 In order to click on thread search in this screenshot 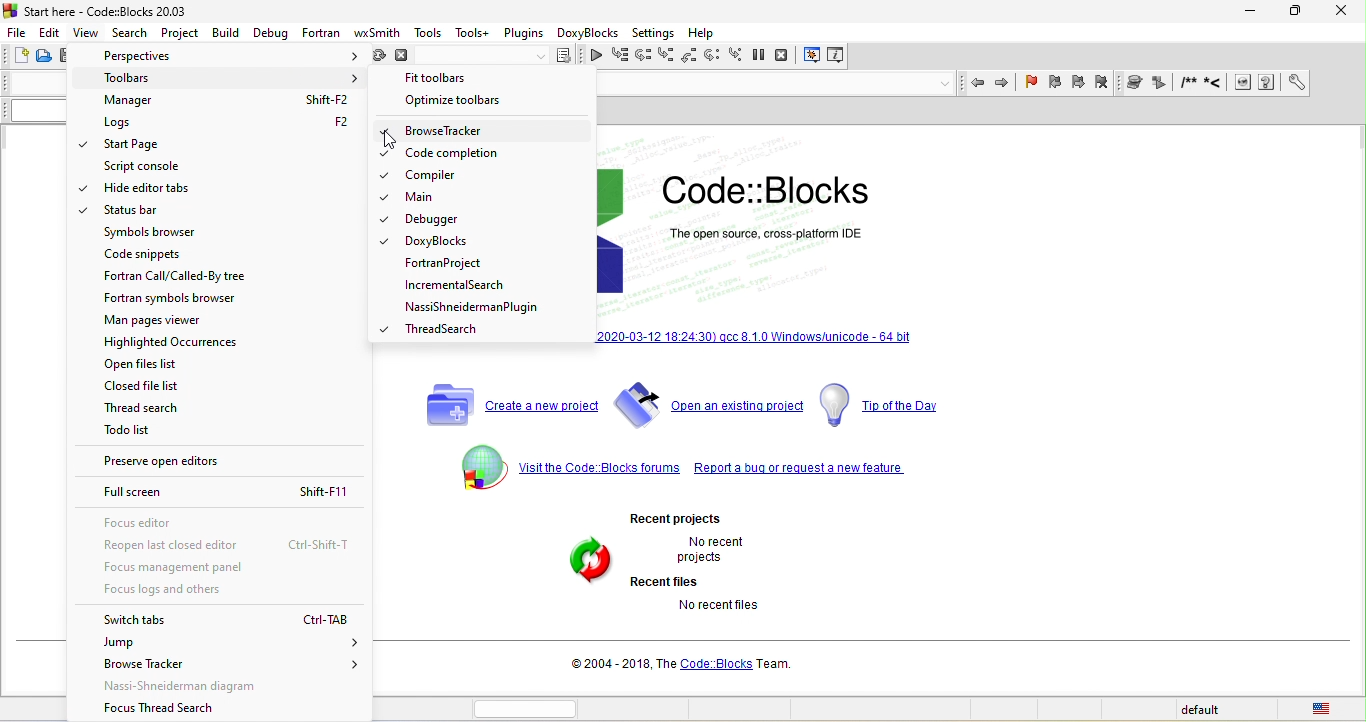, I will do `click(444, 330)`.